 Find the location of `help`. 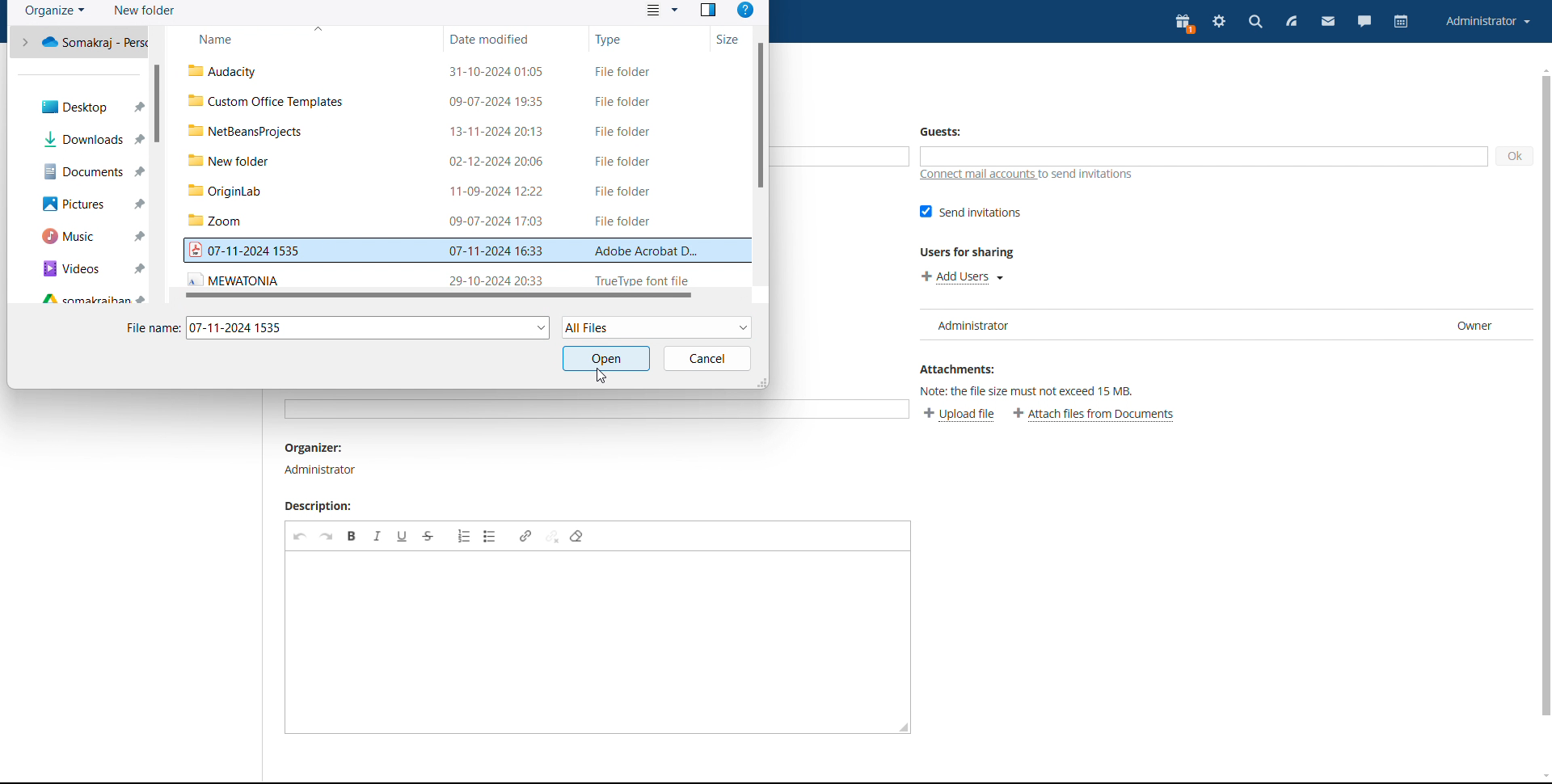

help is located at coordinates (748, 11).